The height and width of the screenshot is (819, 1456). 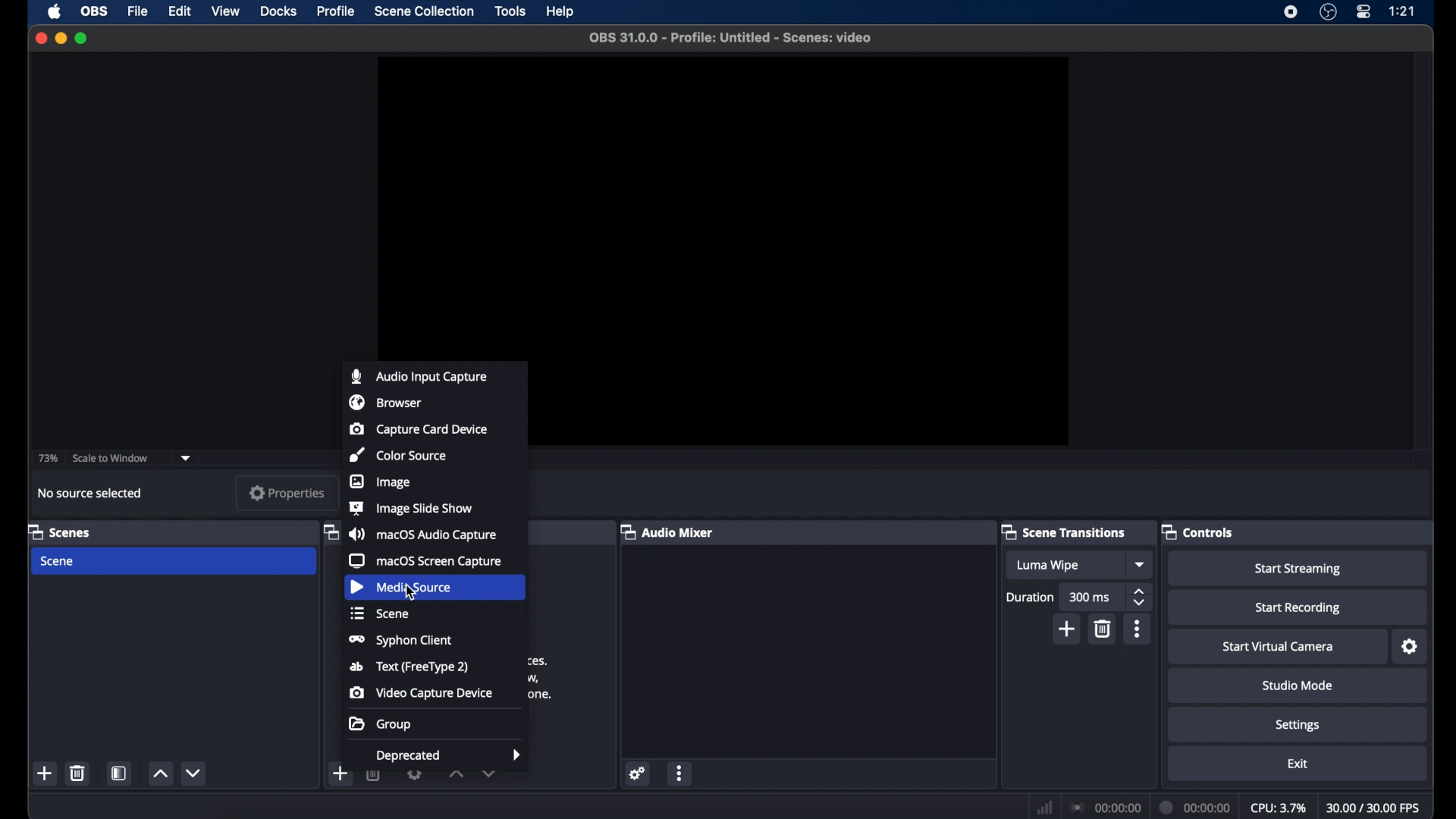 What do you see at coordinates (1103, 808) in the screenshot?
I see `connection` at bounding box center [1103, 808].